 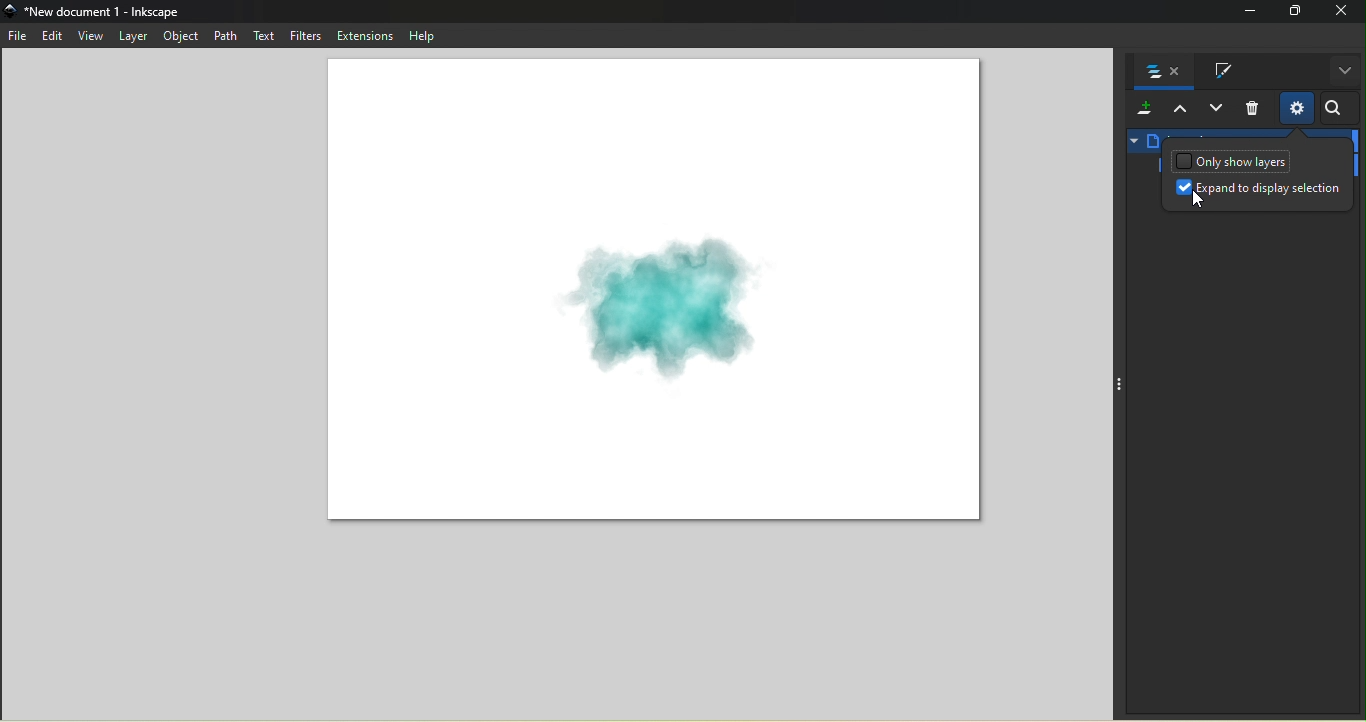 I want to click on Only show layers, so click(x=1233, y=161).